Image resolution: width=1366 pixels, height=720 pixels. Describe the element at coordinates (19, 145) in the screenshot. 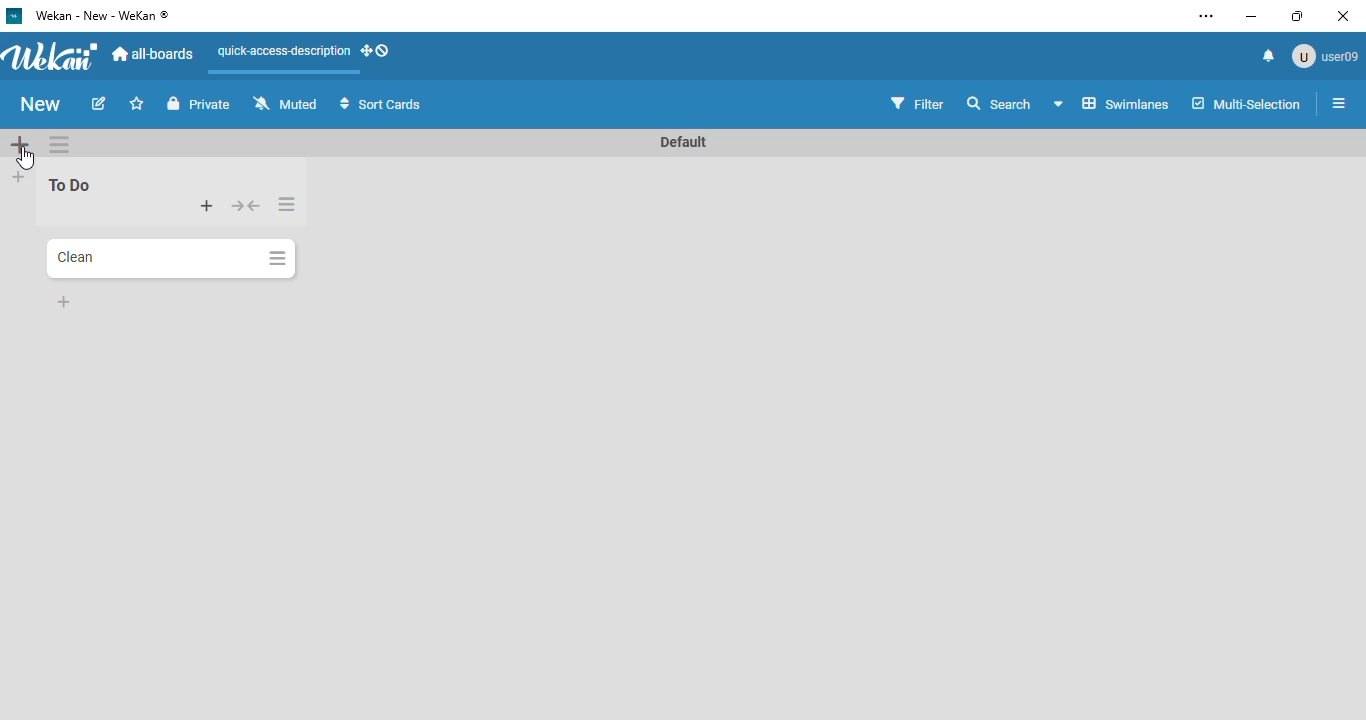

I see `add swimlane` at that location.